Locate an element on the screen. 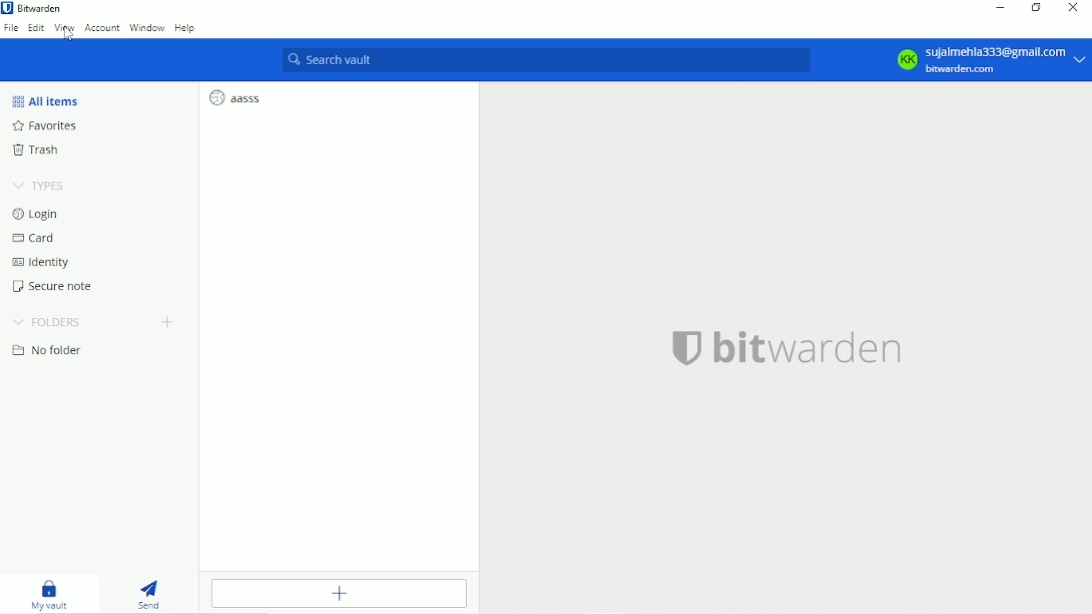 The image size is (1092, 614). Login is located at coordinates (36, 215).